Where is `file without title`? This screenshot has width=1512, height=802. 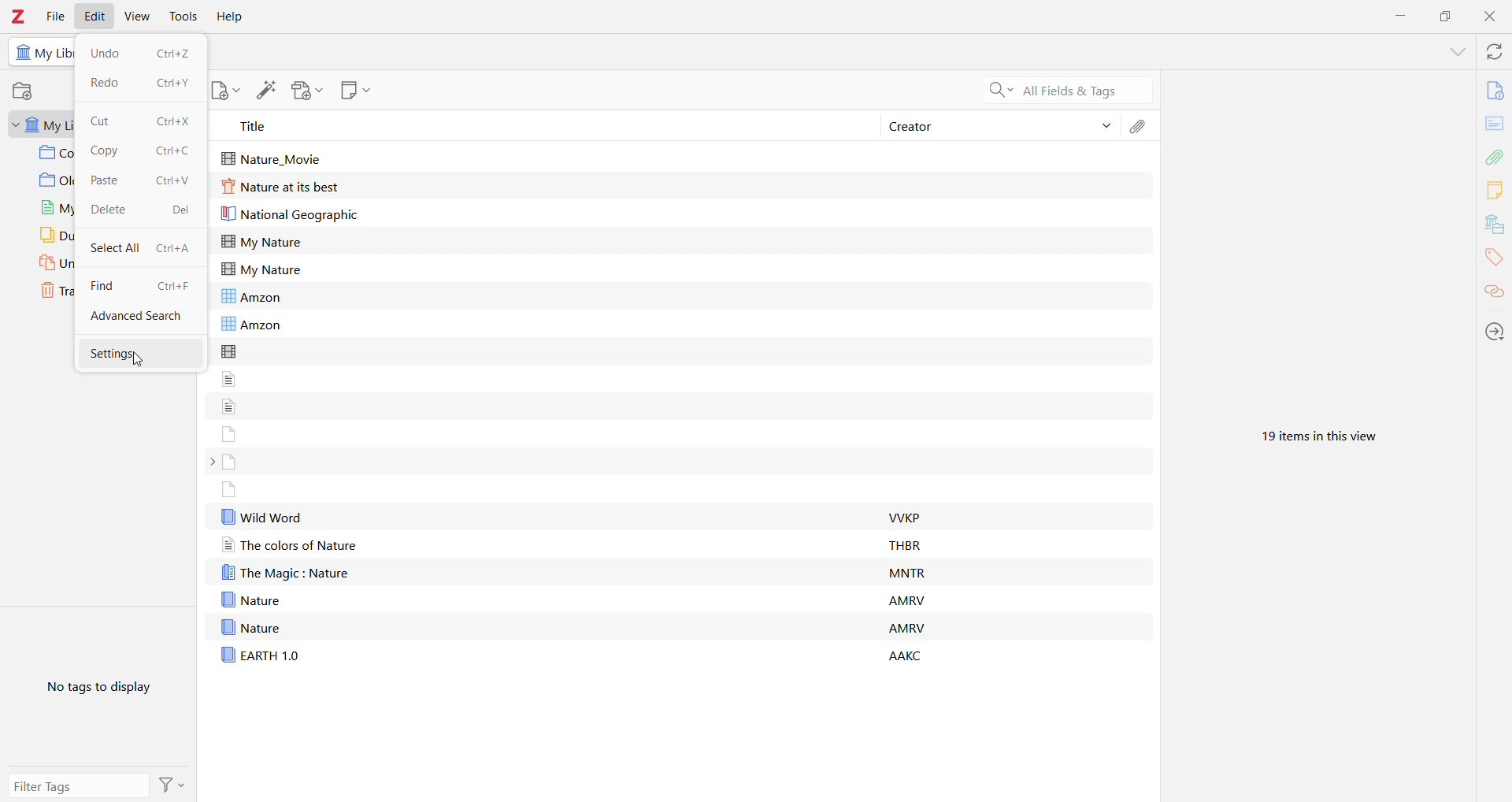
file without title is located at coordinates (231, 351).